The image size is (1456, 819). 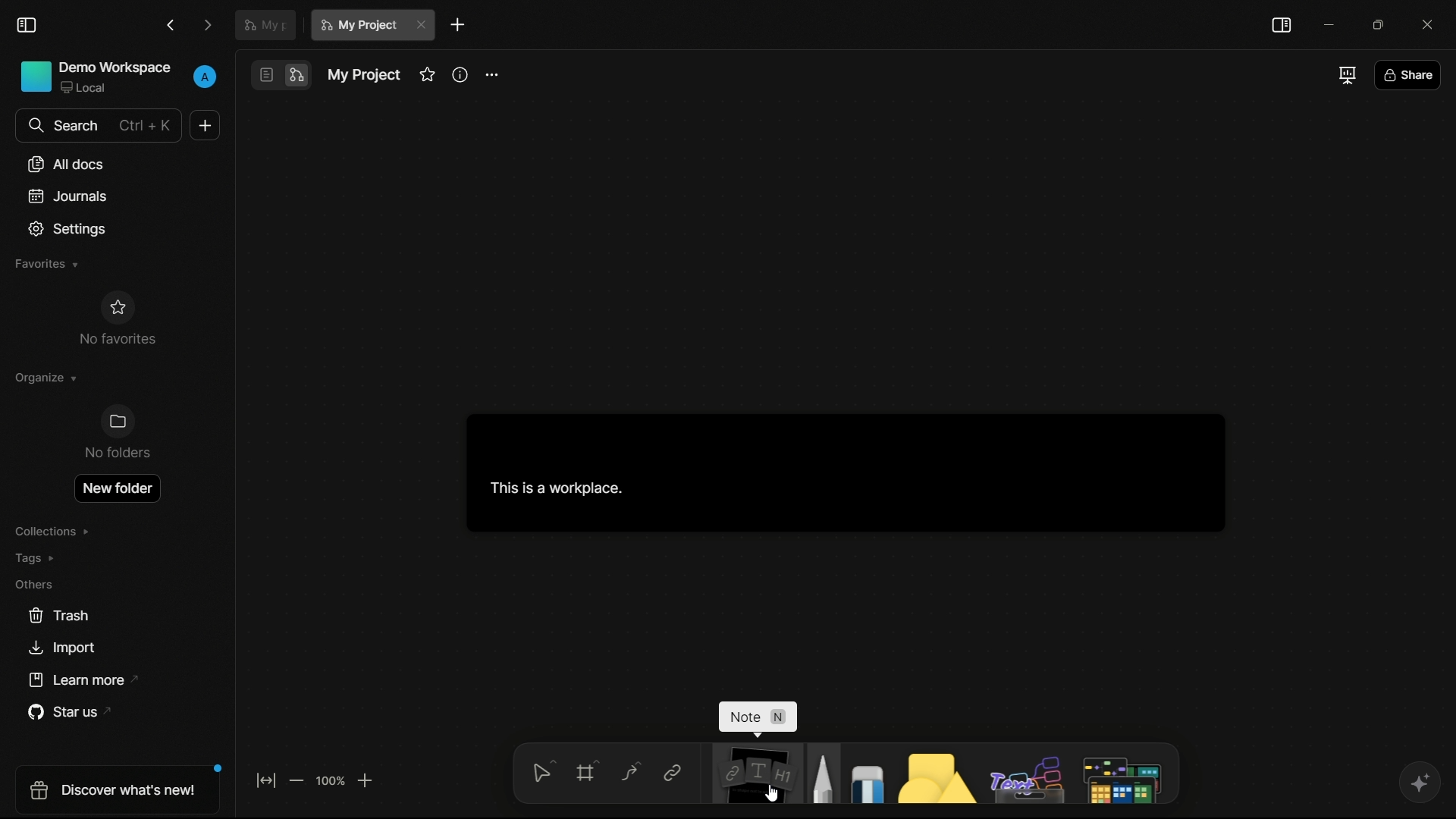 What do you see at coordinates (42, 556) in the screenshot?
I see `tags` at bounding box center [42, 556].